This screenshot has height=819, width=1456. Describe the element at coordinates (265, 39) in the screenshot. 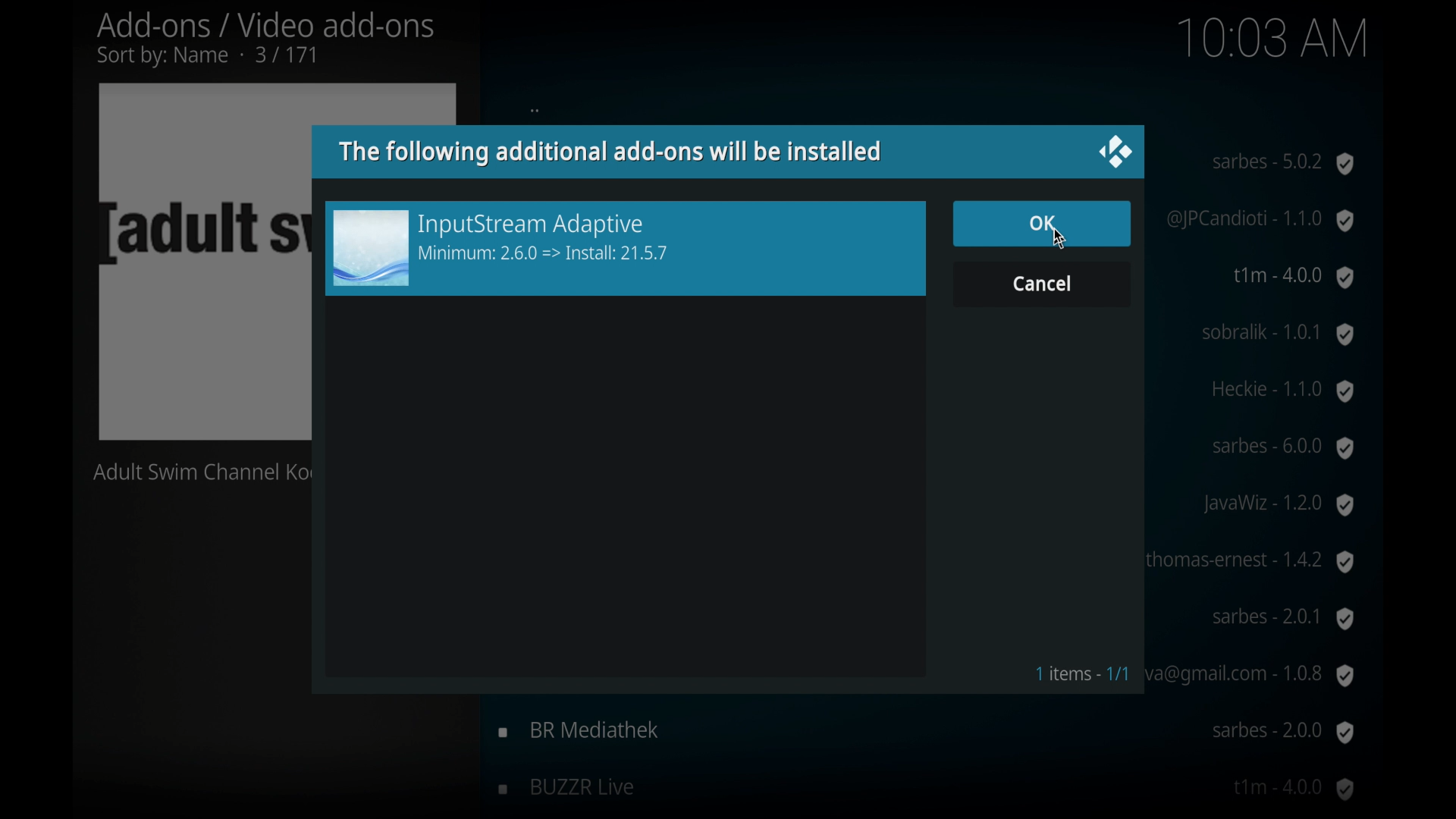

I see `add-ons/ video add-ons` at that location.